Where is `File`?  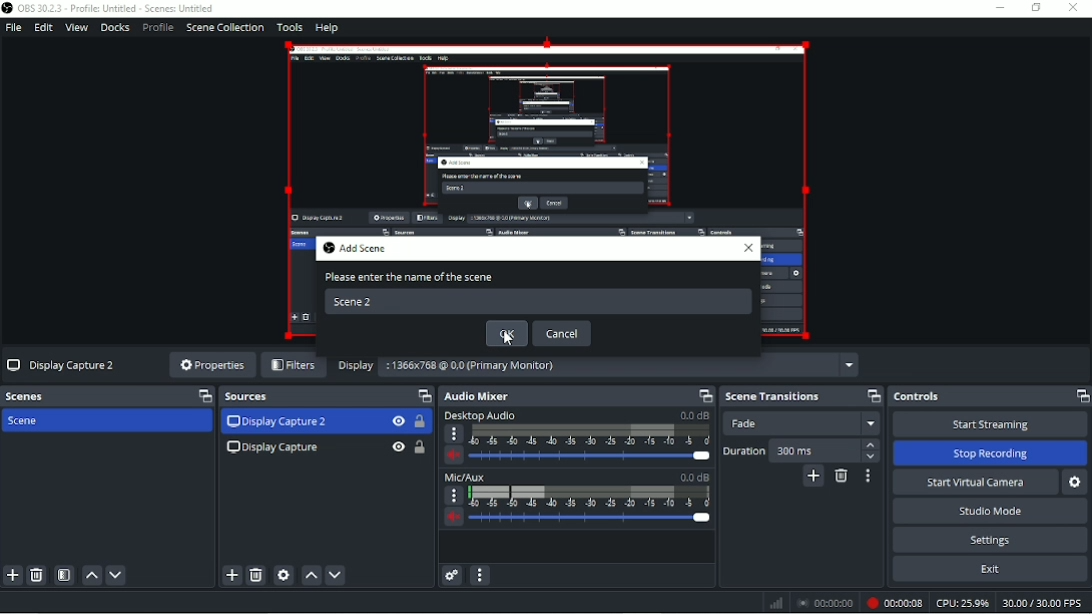
File is located at coordinates (13, 27).